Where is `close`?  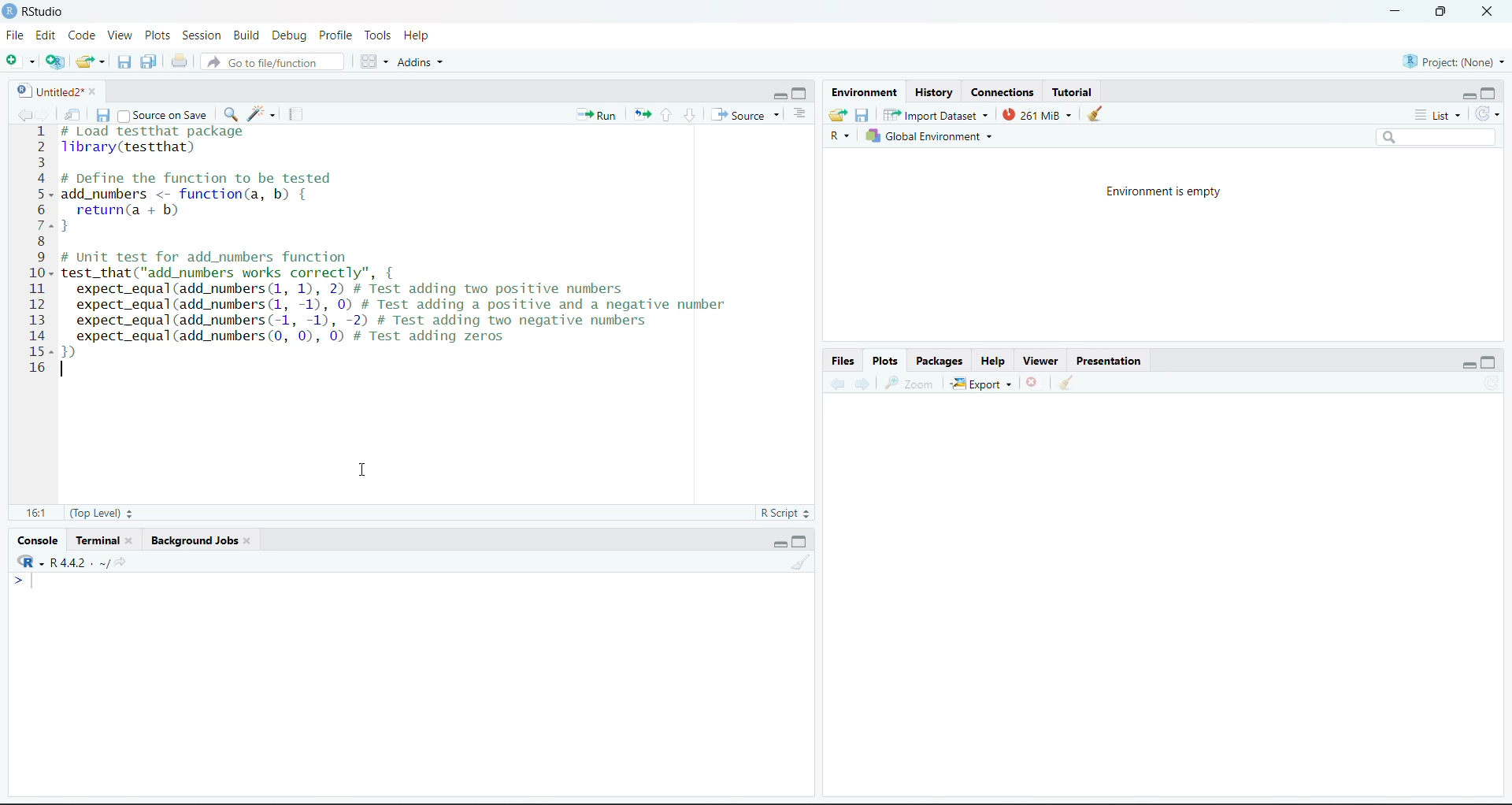
close is located at coordinates (1488, 12).